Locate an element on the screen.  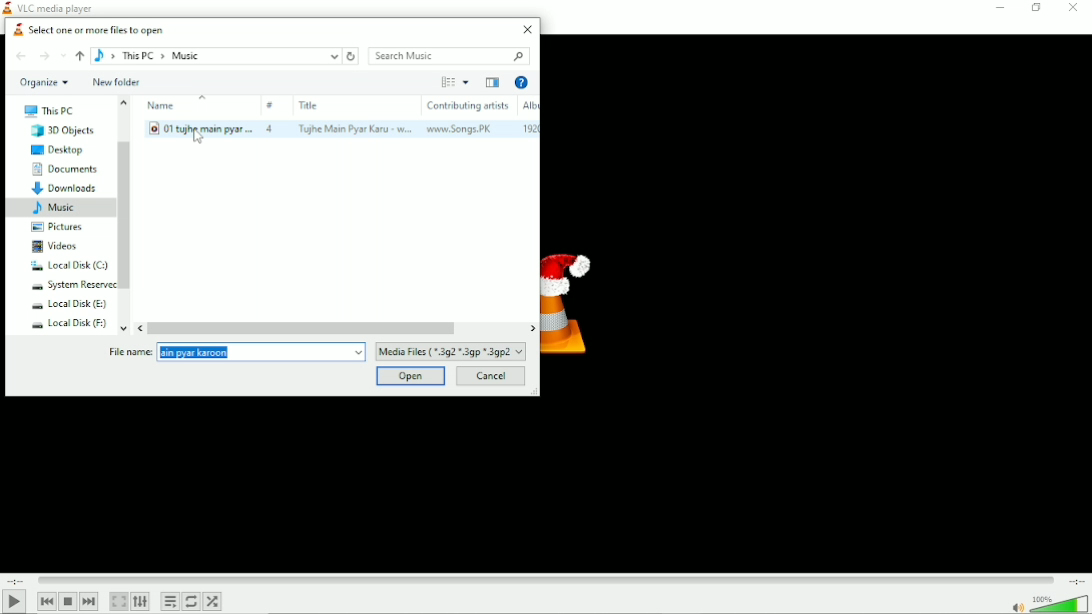
This PC is located at coordinates (49, 112).